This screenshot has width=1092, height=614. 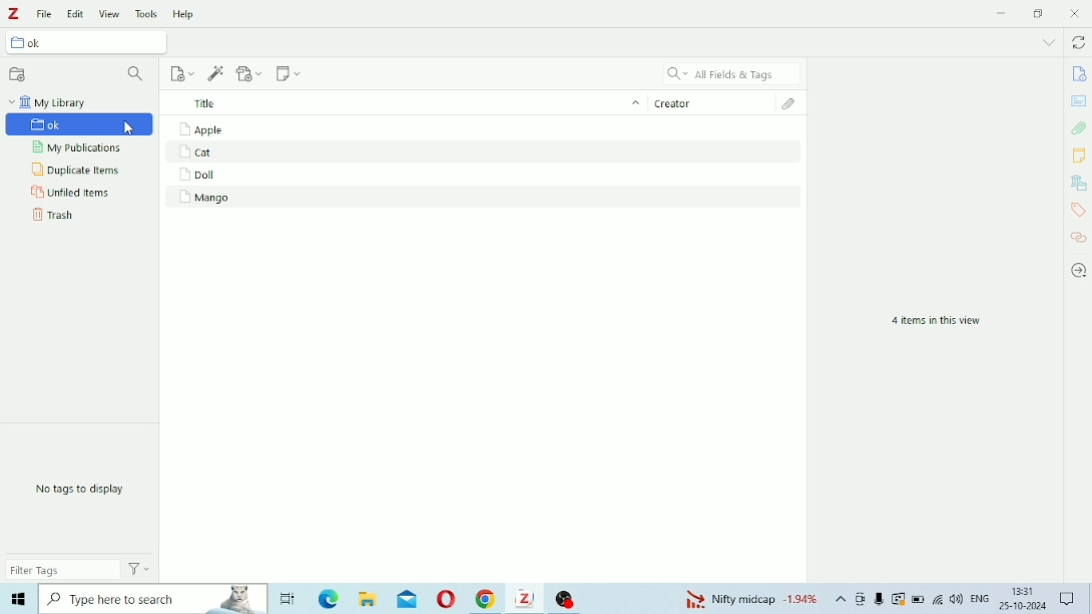 What do you see at coordinates (125, 127) in the screenshot?
I see `Cursor` at bounding box center [125, 127].